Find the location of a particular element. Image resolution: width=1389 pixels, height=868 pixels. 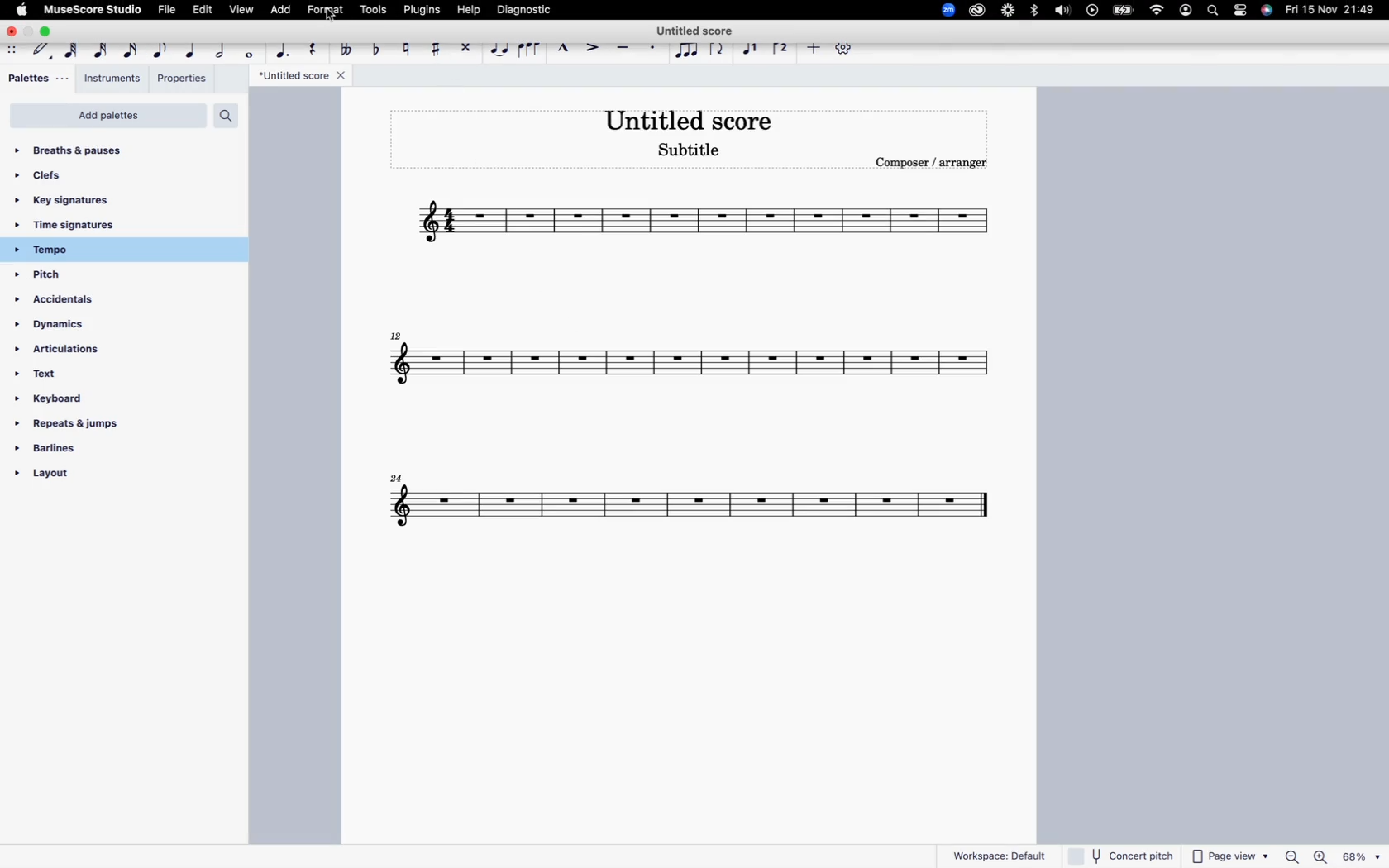

creative cloud is located at coordinates (977, 9).